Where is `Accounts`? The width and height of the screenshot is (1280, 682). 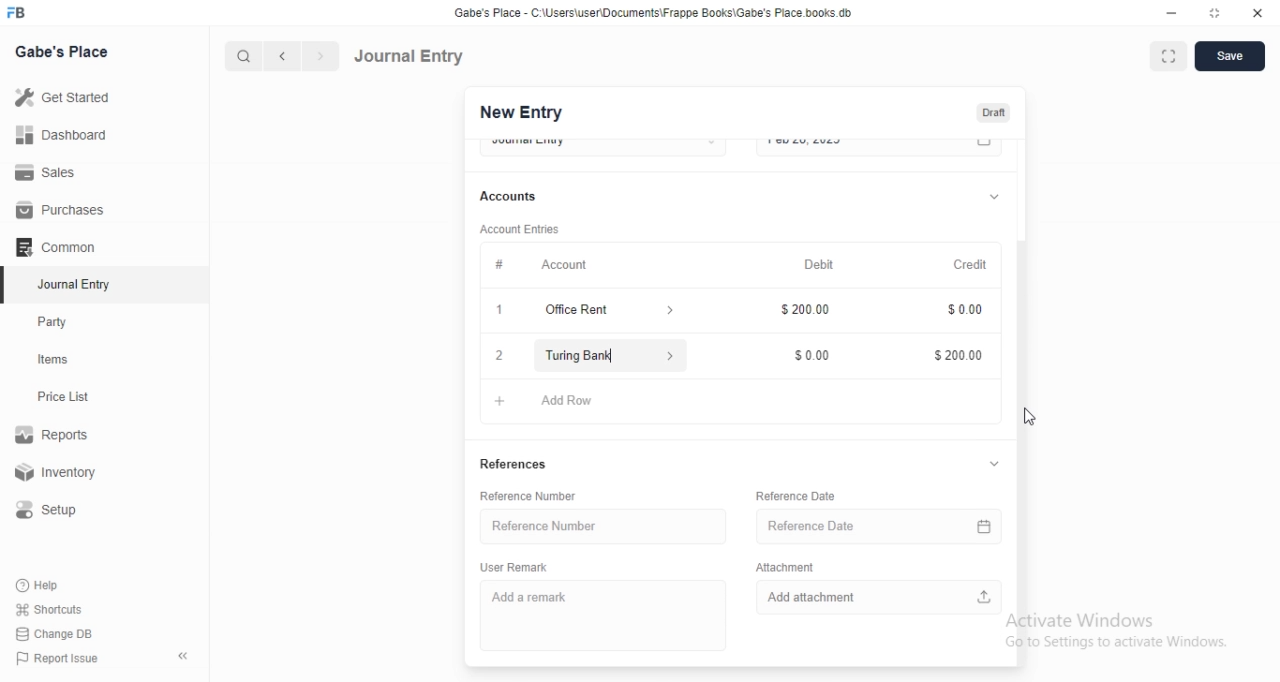 Accounts is located at coordinates (511, 196).